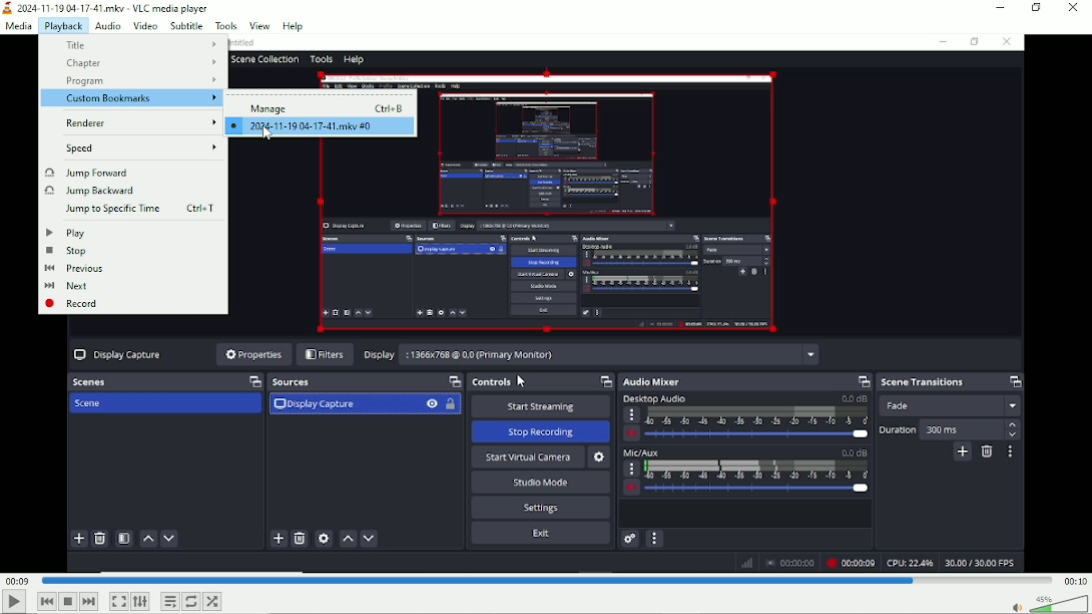 The image size is (1092, 614). What do you see at coordinates (1074, 581) in the screenshot?
I see `00:10` at bounding box center [1074, 581].